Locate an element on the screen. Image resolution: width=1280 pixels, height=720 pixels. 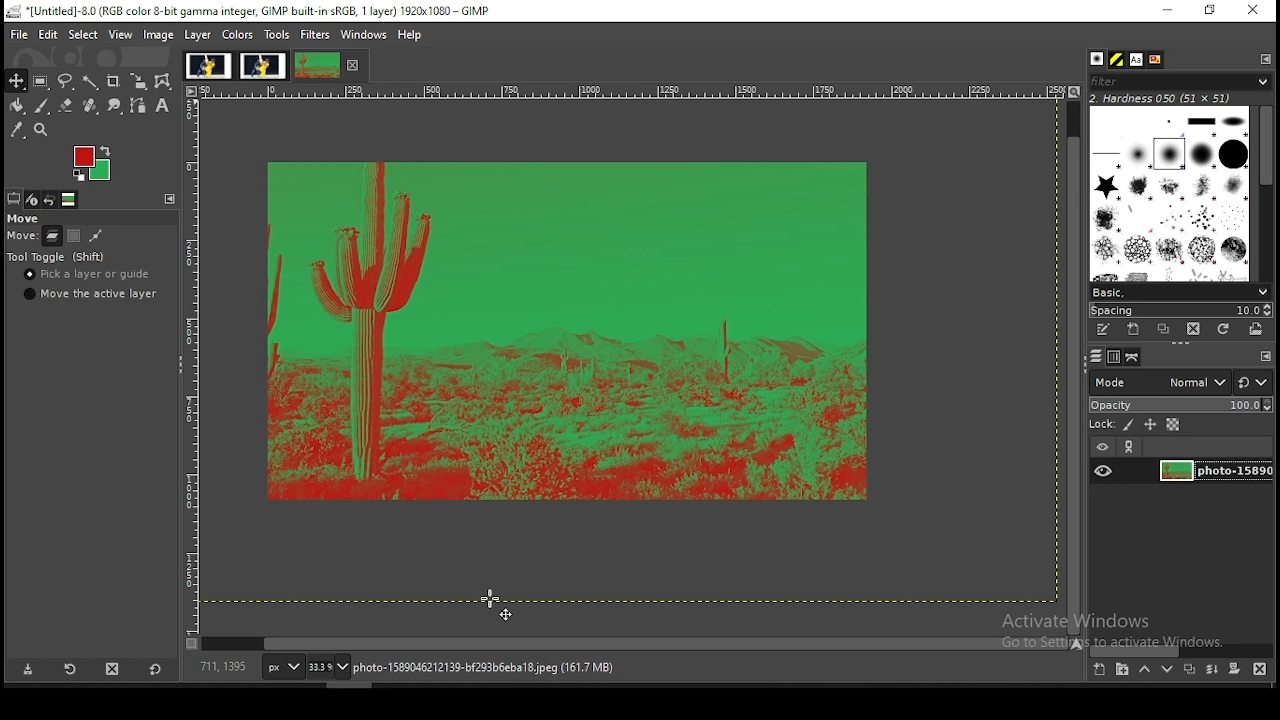
scroll bar is located at coordinates (1074, 366).